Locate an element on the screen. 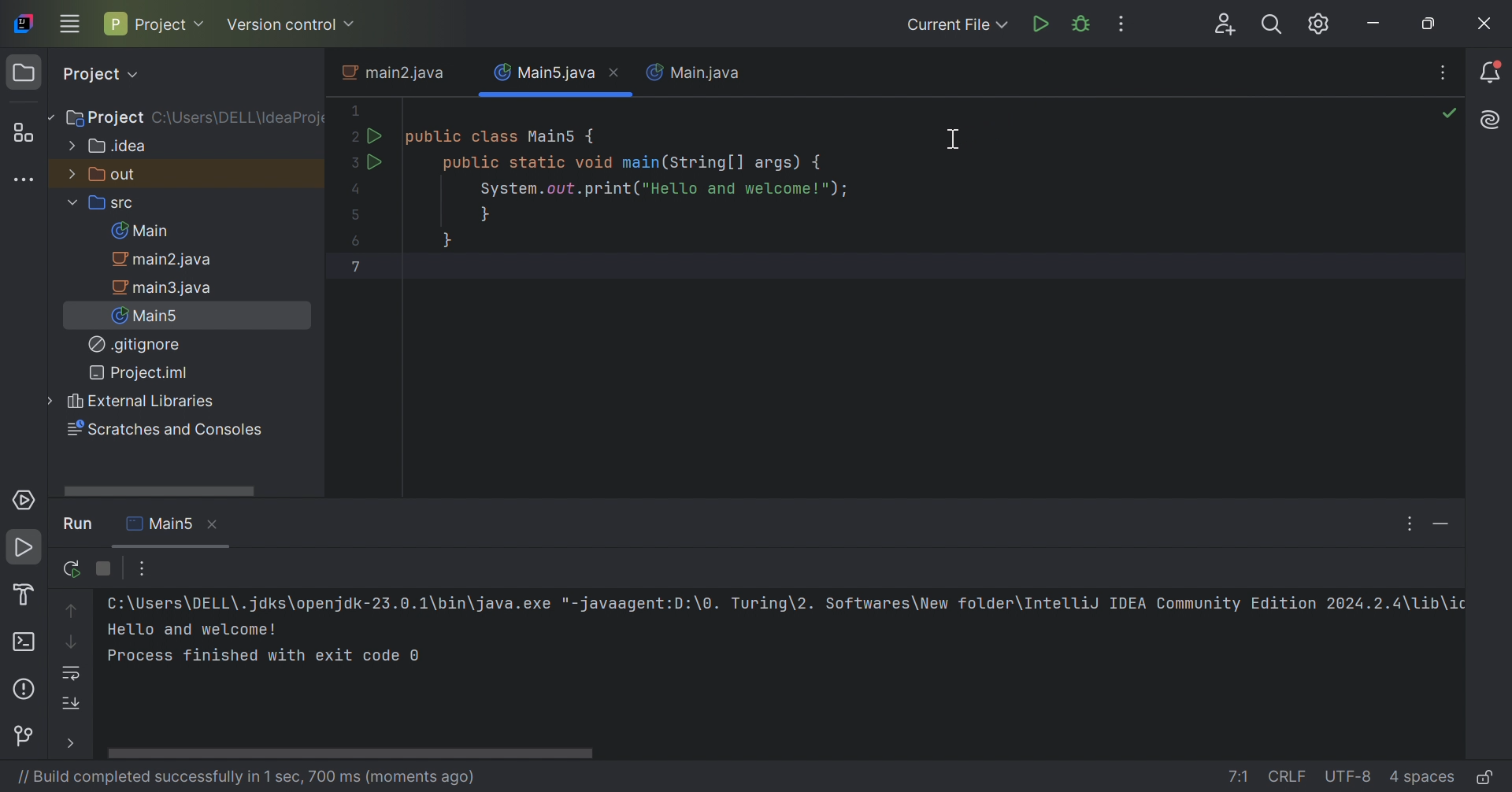 Image resolution: width=1512 pixels, height=792 pixels. Close is located at coordinates (1488, 24).